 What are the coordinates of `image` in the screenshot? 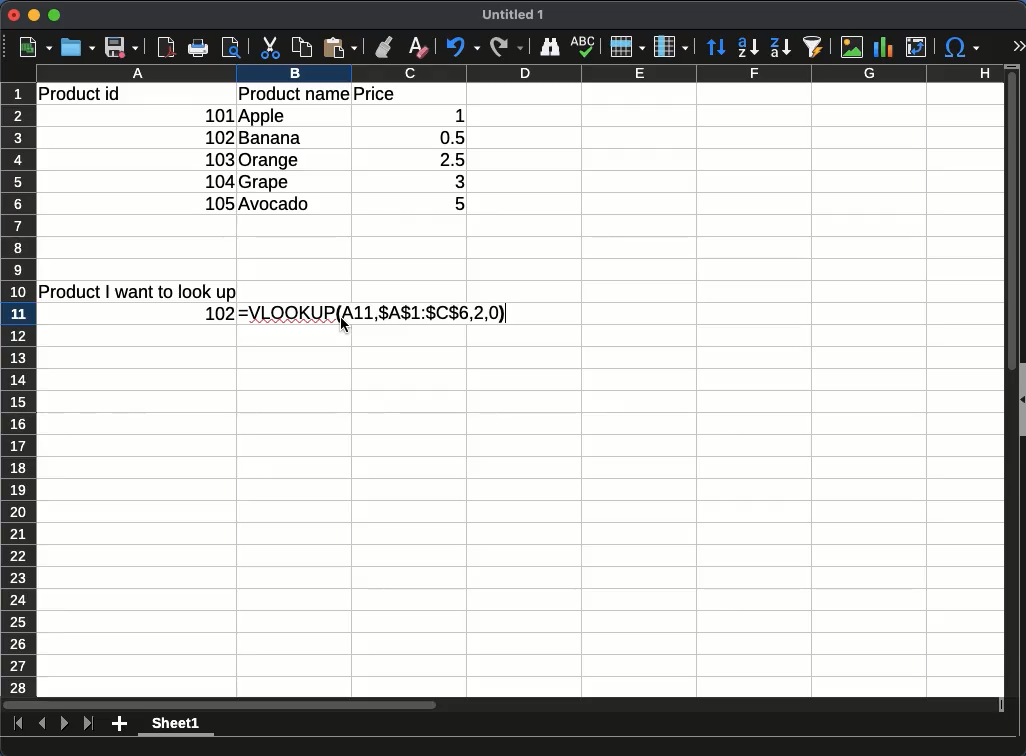 It's located at (852, 47).